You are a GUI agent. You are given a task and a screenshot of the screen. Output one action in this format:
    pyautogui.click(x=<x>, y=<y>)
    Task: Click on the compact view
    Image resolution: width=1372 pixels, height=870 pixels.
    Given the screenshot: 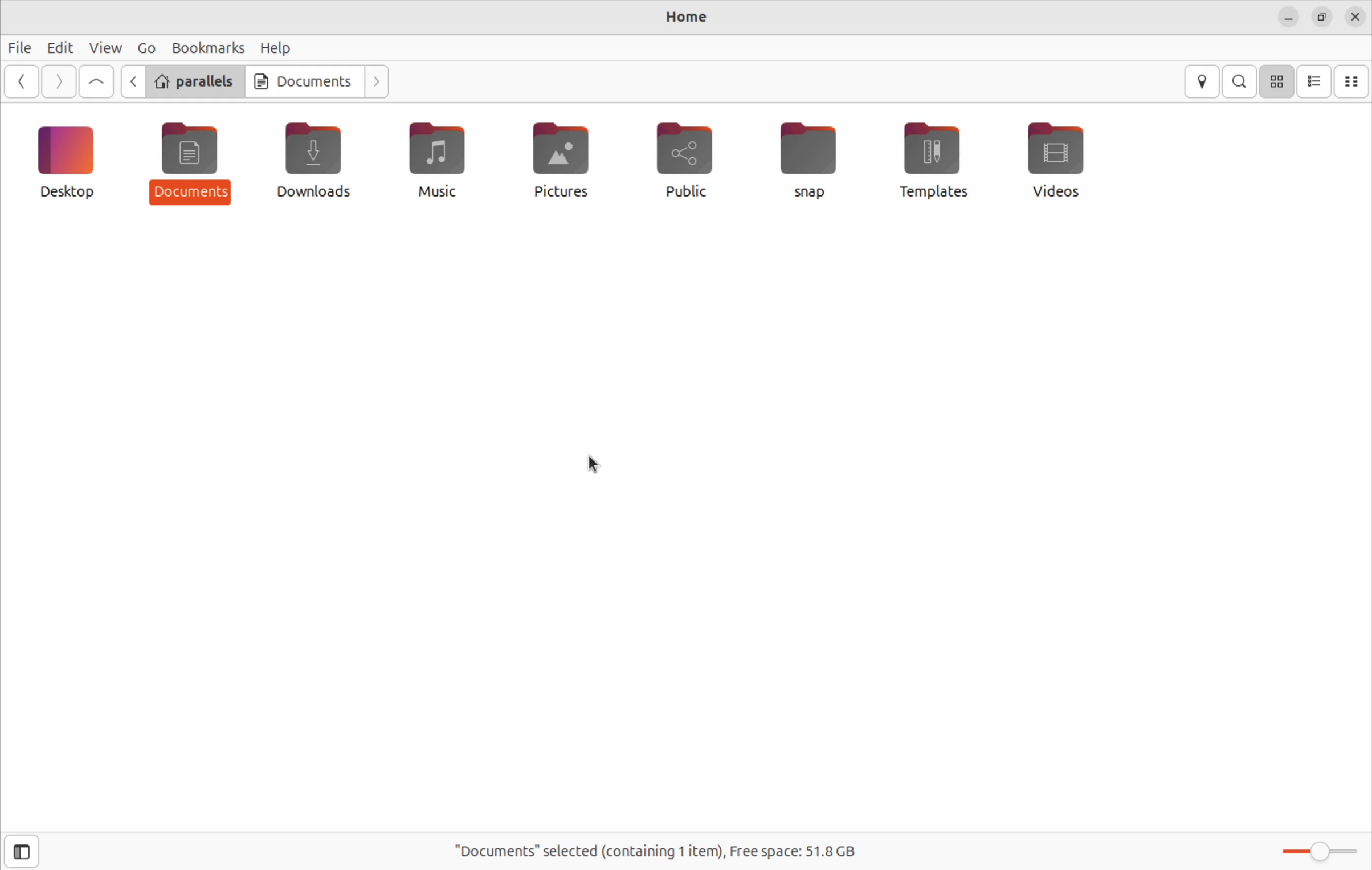 What is the action you would take?
    pyautogui.click(x=1354, y=80)
    